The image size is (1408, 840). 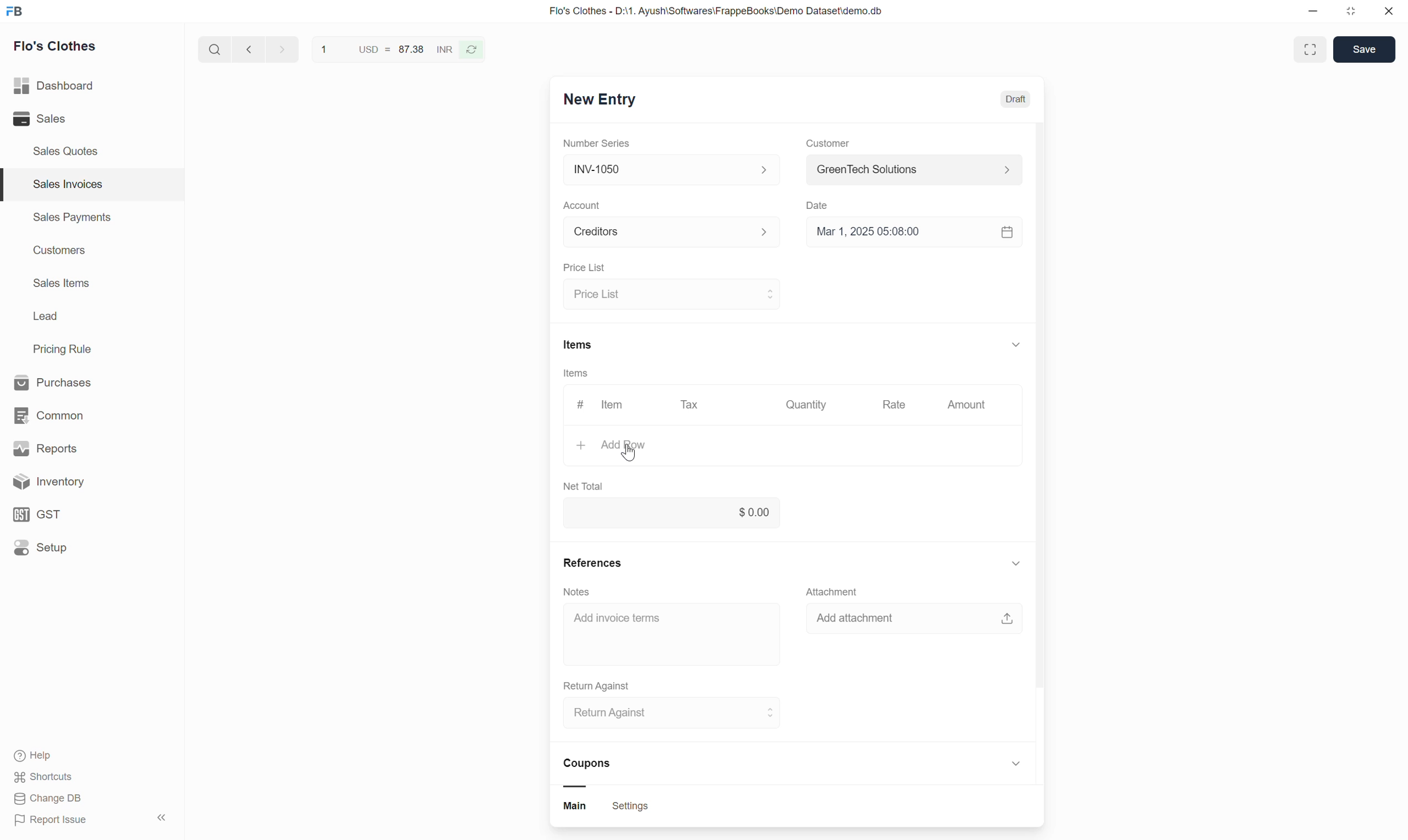 I want to click on Pricing Rule, so click(x=64, y=349).